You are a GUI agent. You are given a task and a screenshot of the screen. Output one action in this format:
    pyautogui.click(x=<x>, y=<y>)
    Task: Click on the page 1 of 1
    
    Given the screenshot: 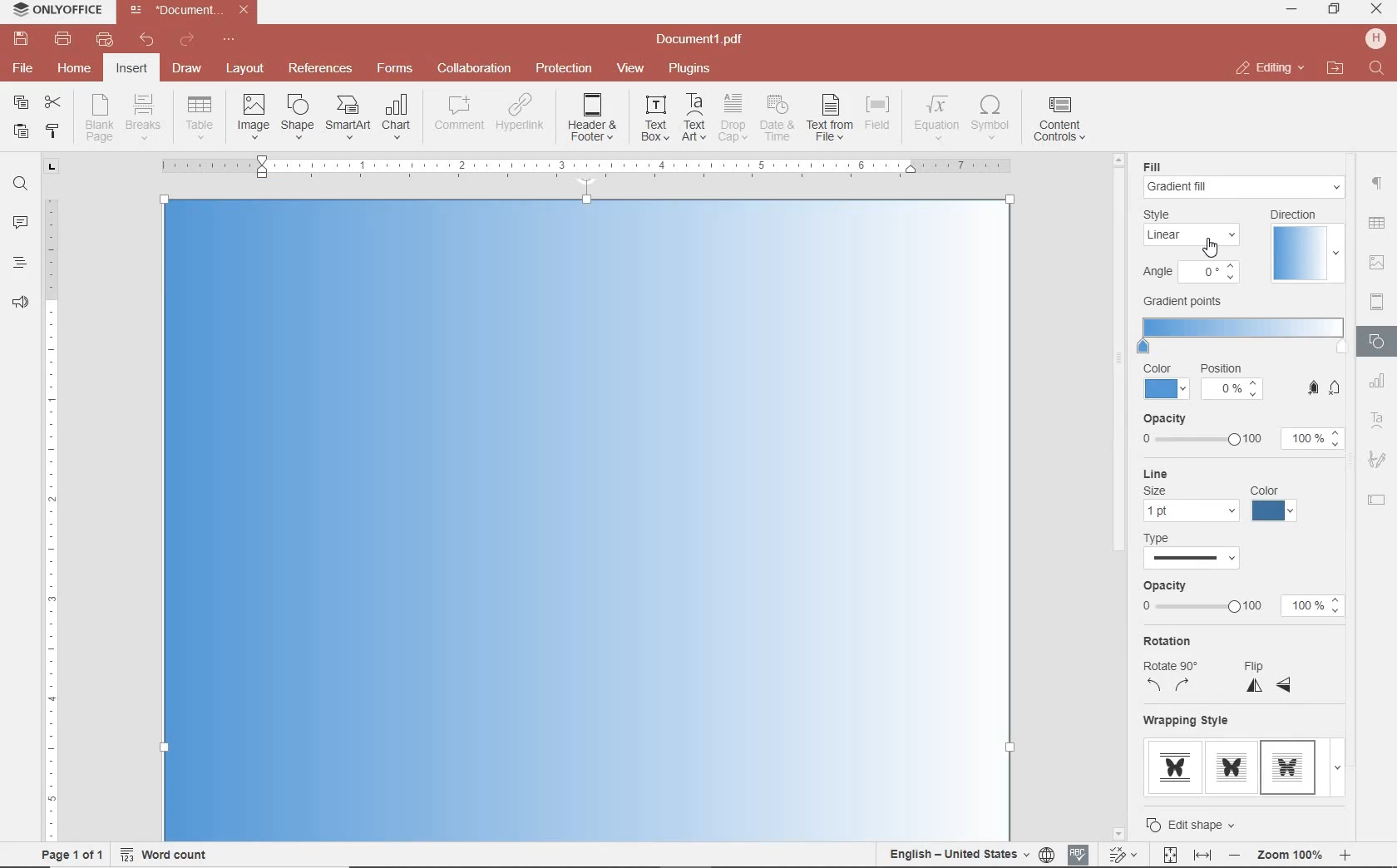 What is the action you would take?
    pyautogui.click(x=69, y=853)
    